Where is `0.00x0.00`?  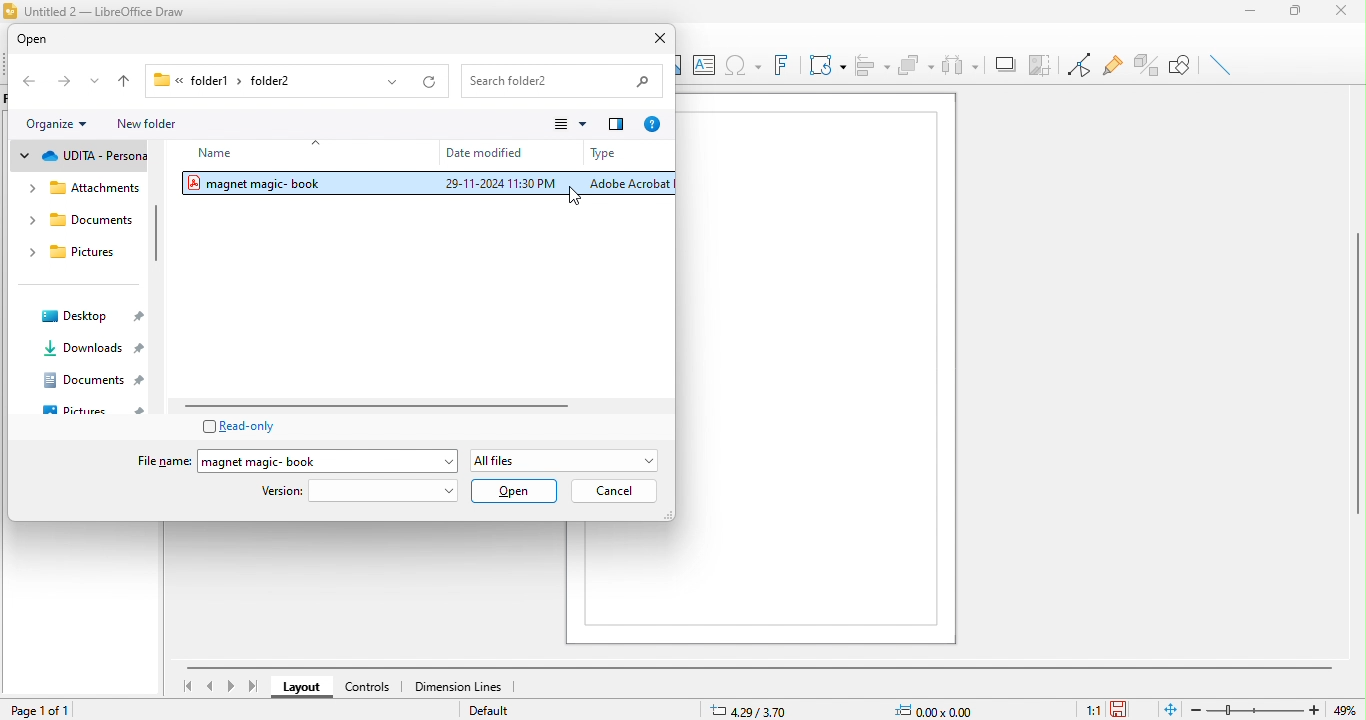
0.00x0.00 is located at coordinates (937, 707).